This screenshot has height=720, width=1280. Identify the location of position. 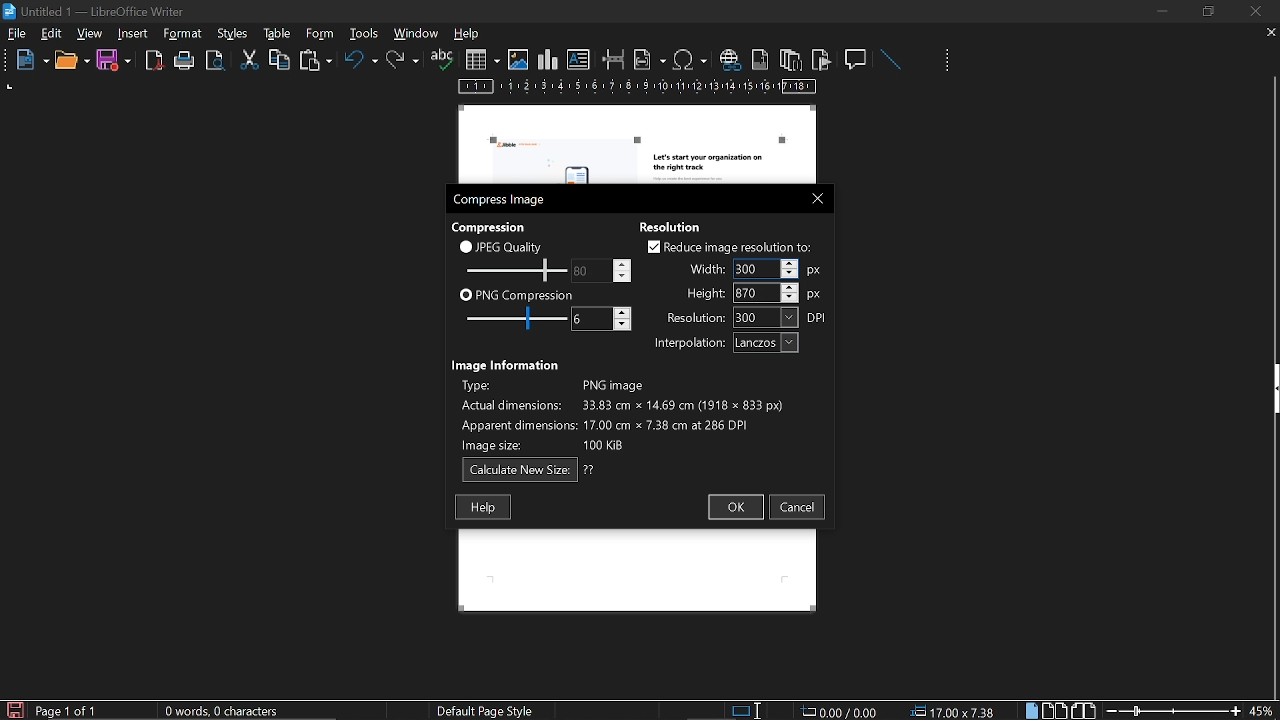
(956, 711).